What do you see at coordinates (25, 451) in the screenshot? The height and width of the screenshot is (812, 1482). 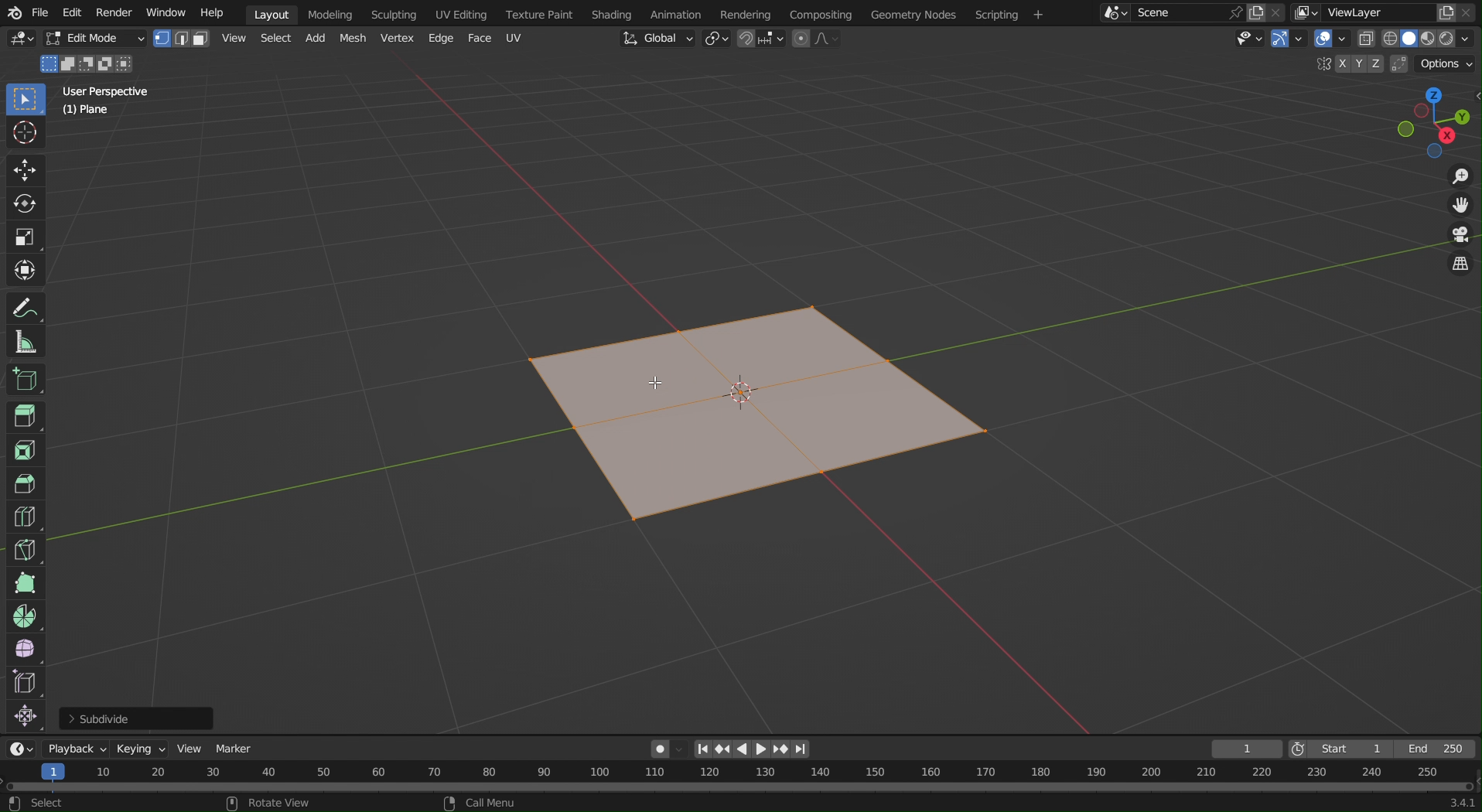 I see `Inset Faces` at bounding box center [25, 451].